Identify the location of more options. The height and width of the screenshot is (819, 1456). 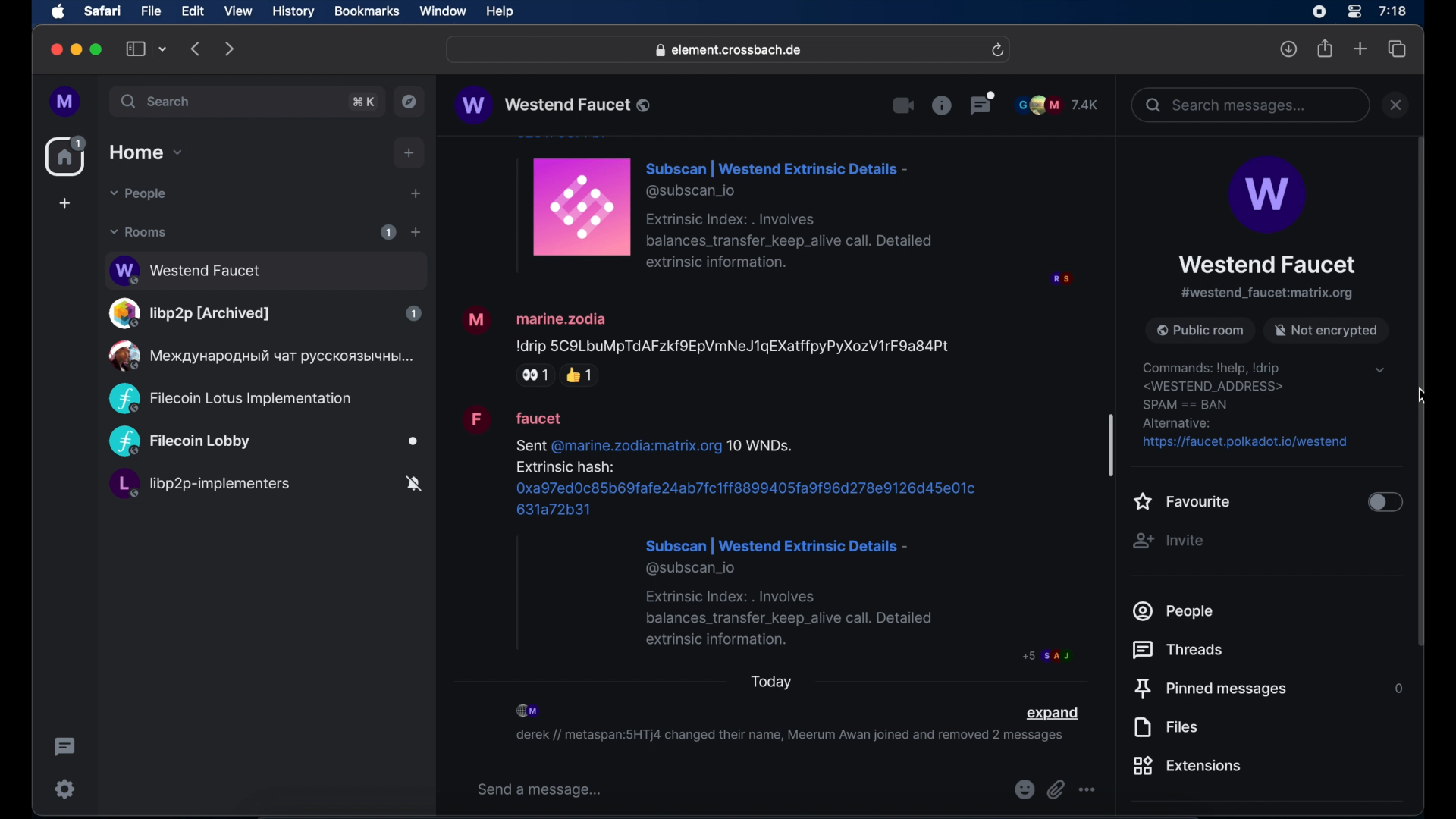
(1087, 790).